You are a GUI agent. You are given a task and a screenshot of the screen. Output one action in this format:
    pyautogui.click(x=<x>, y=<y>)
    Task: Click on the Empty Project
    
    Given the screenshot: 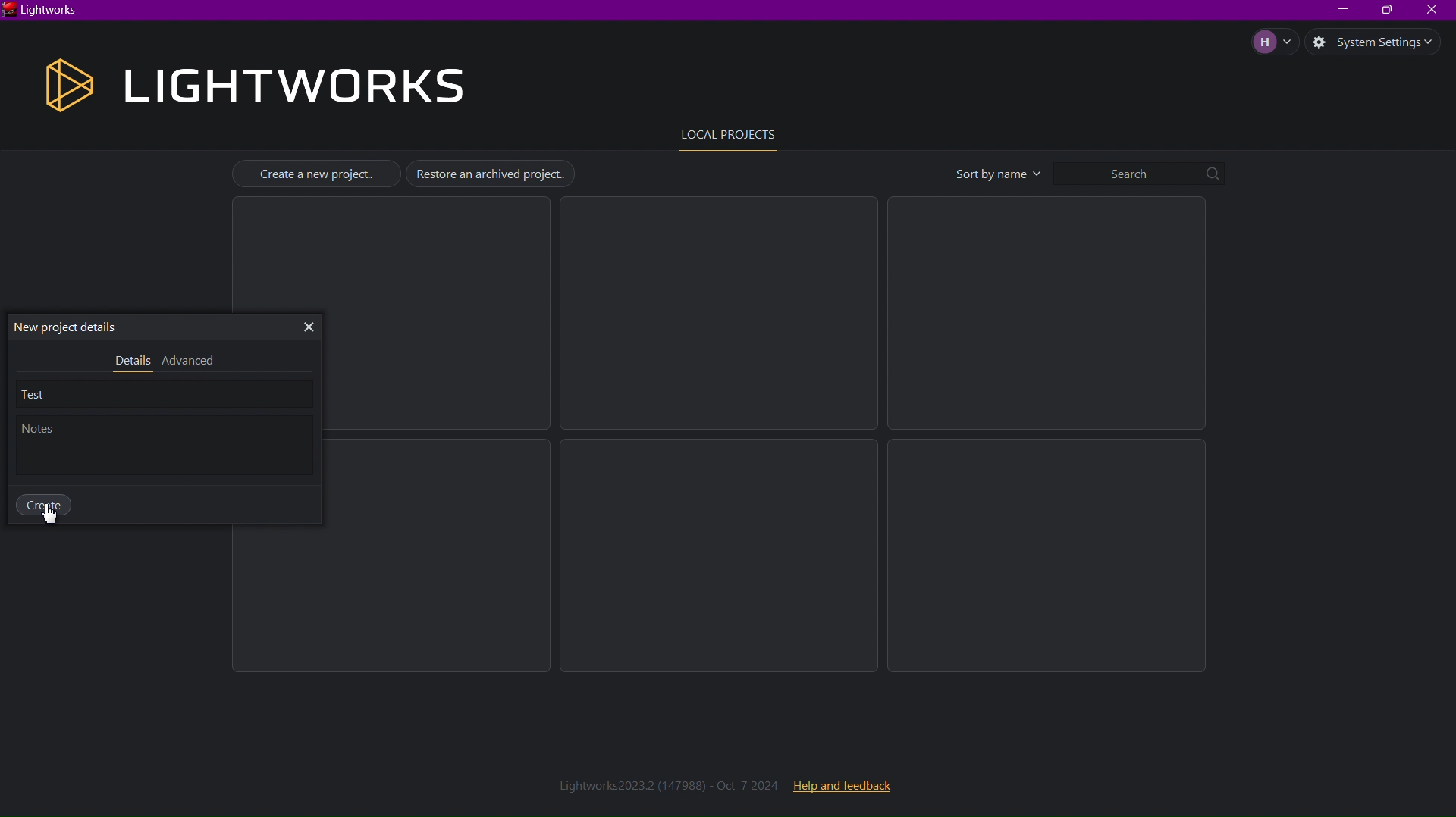 What is the action you would take?
    pyautogui.click(x=721, y=556)
    